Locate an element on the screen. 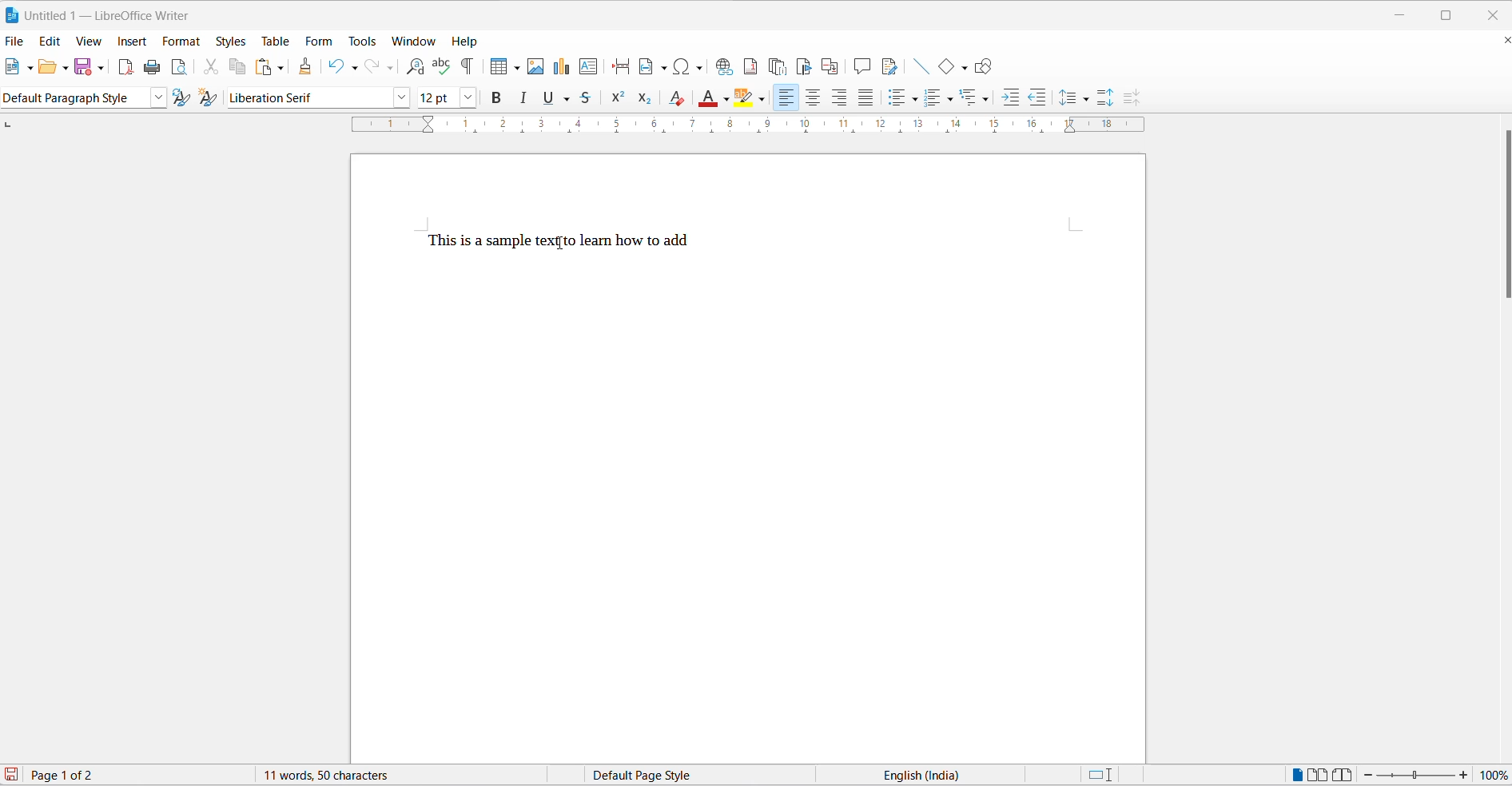  toggle ordered list options is located at coordinates (955, 97).